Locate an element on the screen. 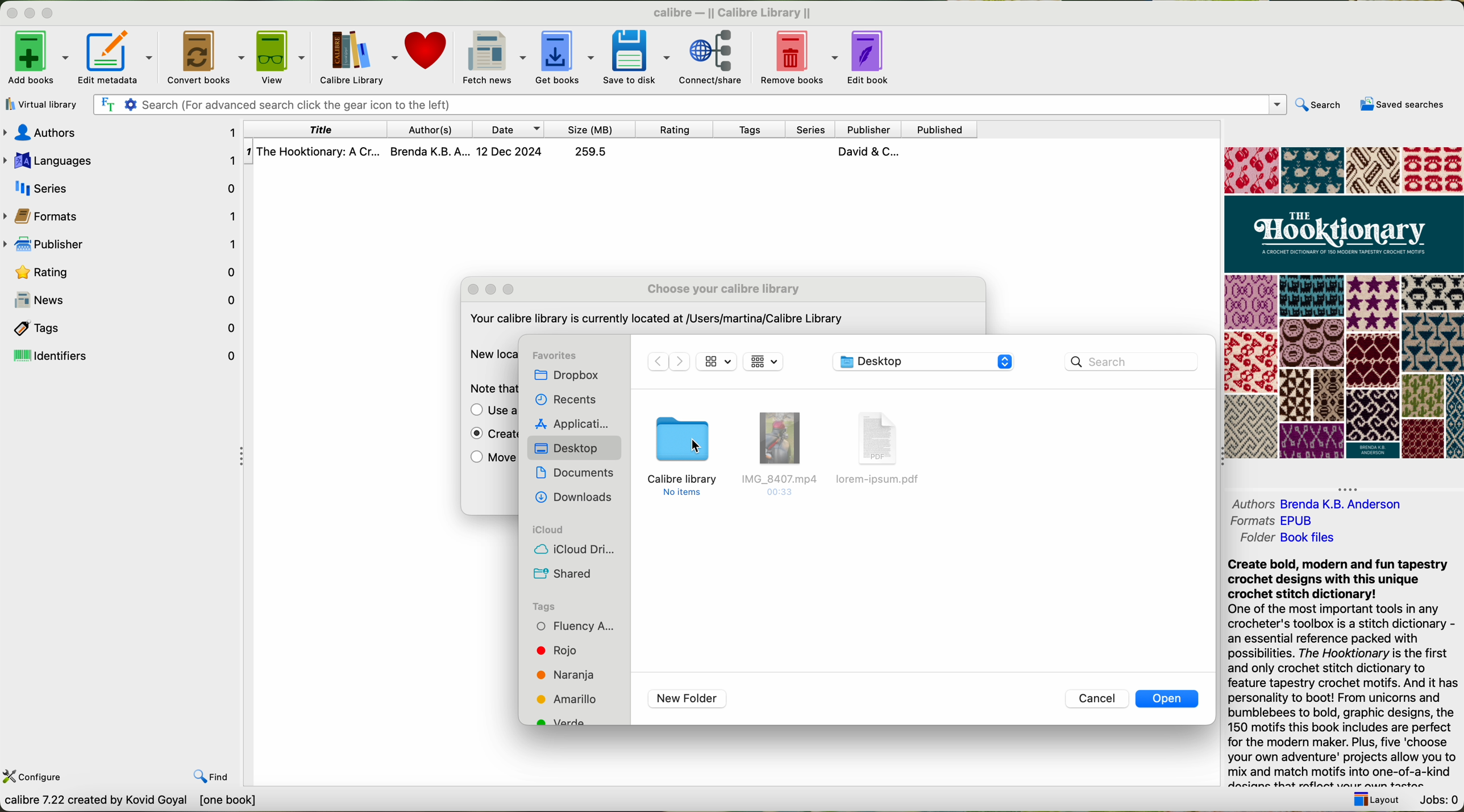  desktop is located at coordinates (573, 448).